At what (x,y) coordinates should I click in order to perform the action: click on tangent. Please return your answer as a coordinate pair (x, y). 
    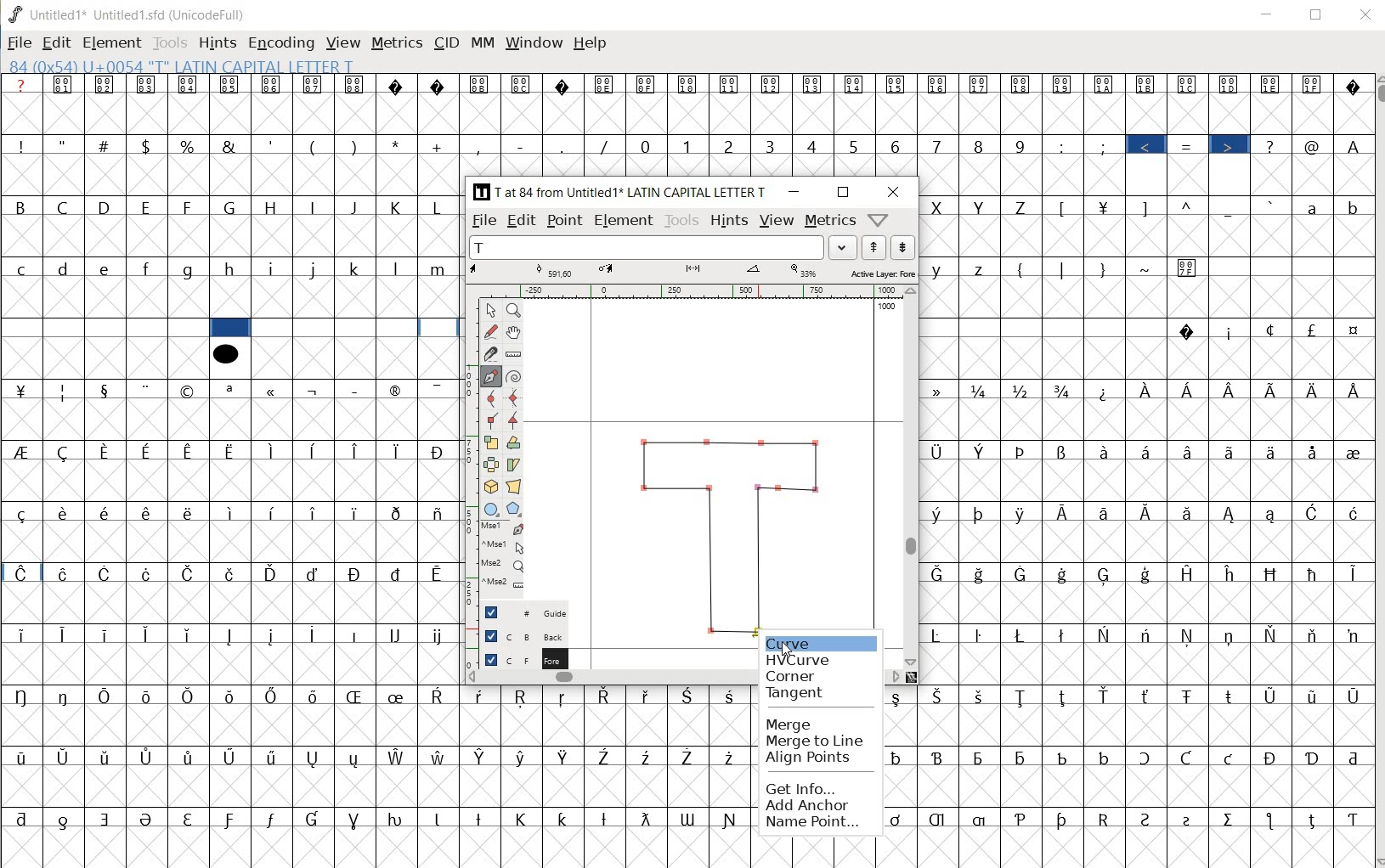
    Looking at the image, I should click on (516, 419).